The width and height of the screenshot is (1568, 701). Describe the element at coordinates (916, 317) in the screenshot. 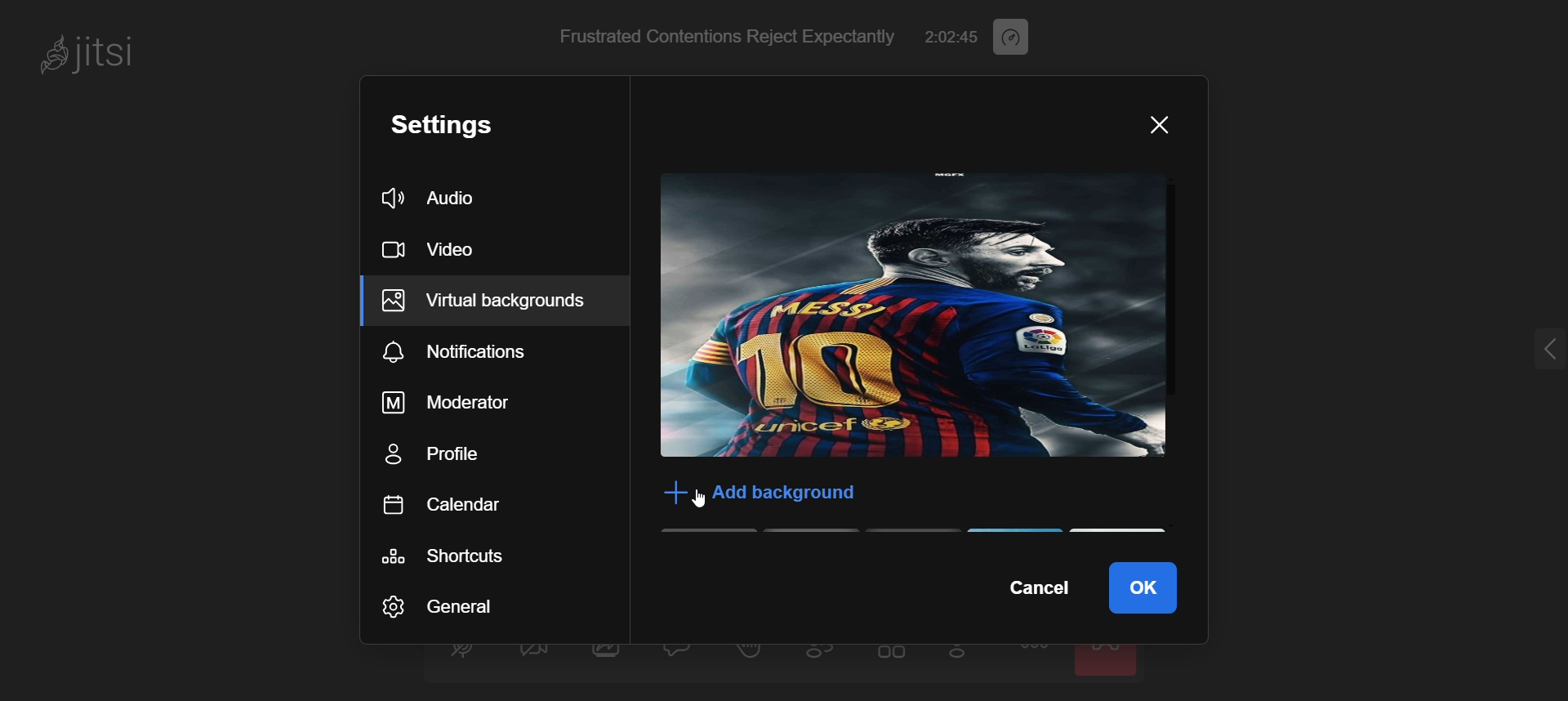

I see `current virtual background` at that location.